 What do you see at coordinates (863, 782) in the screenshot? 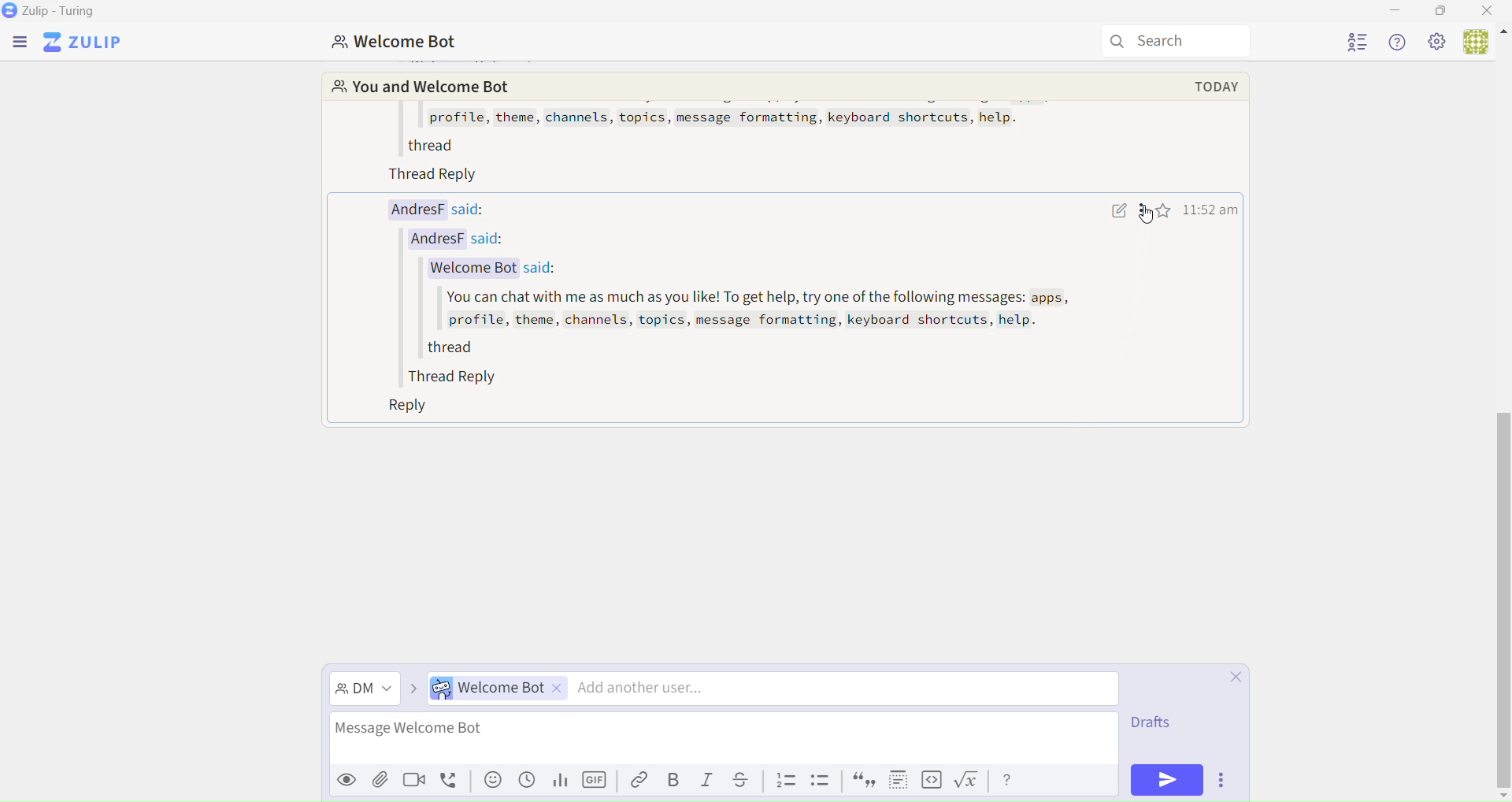
I see `quote` at bounding box center [863, 782].